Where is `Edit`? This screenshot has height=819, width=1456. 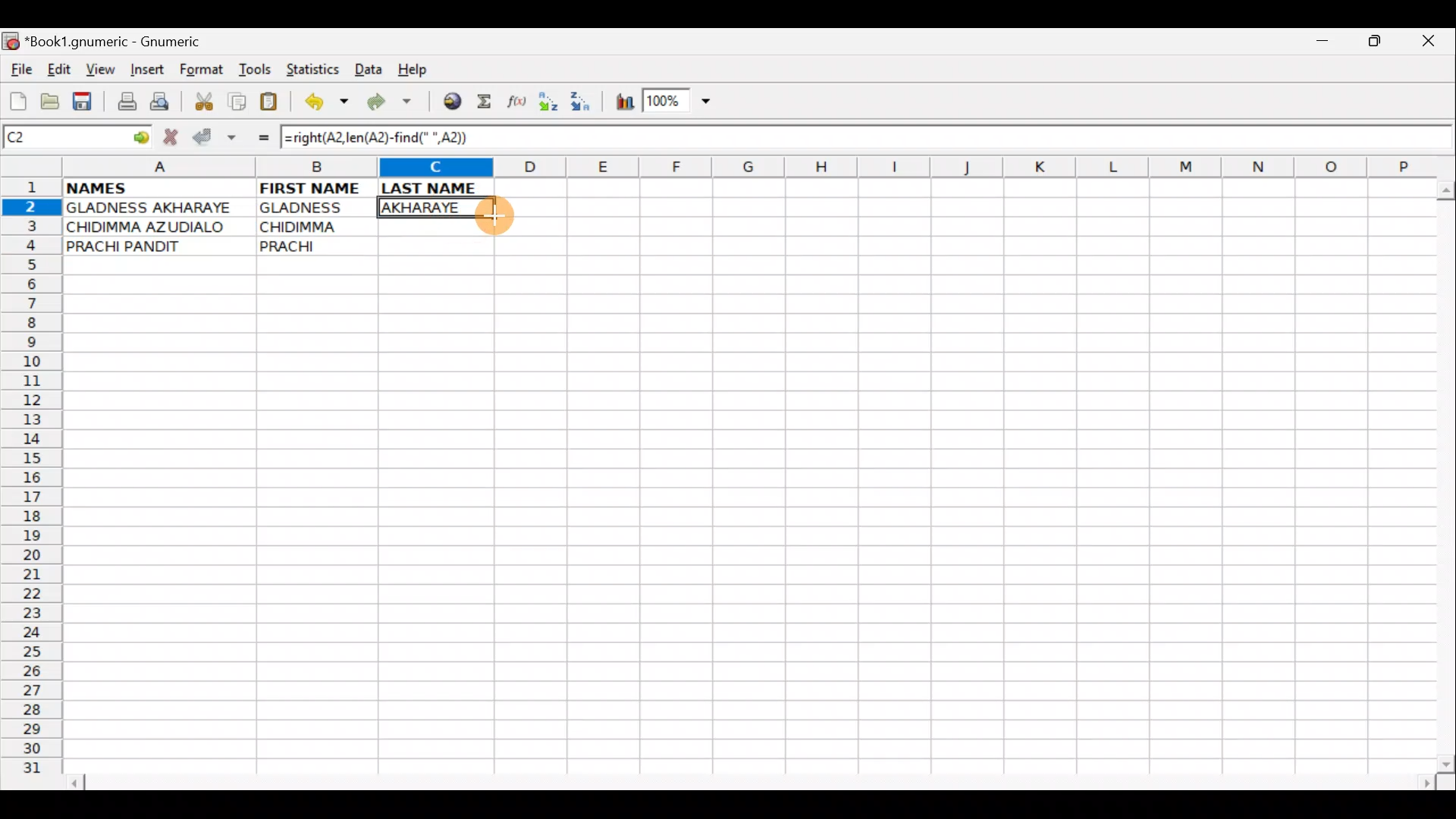
Edit is located at coordinates (58, 69).